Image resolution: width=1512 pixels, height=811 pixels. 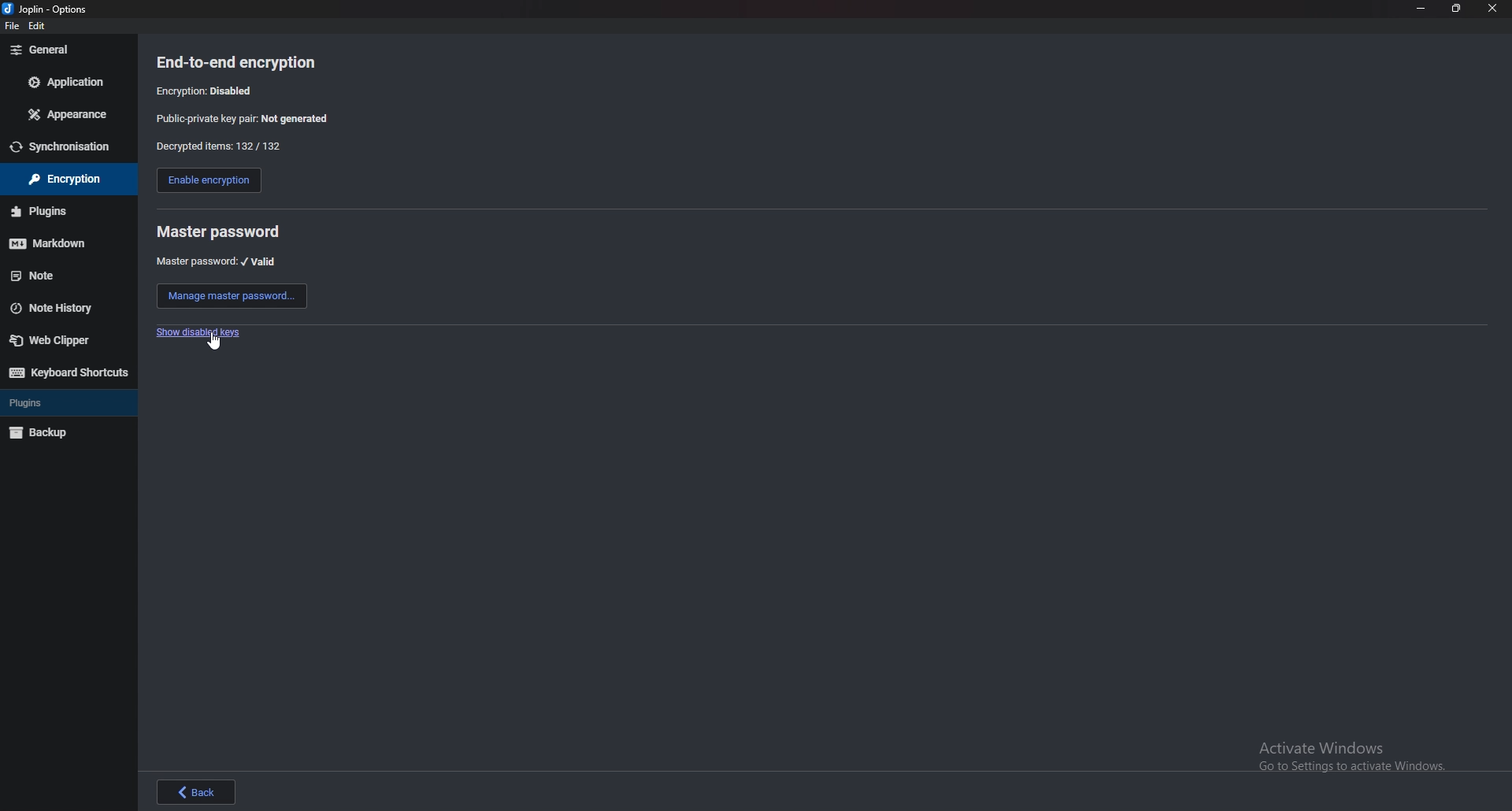 What do you see at coordinates (61, 402) in the screenshot?
I see `plugins` at bounding box center [61, 402].